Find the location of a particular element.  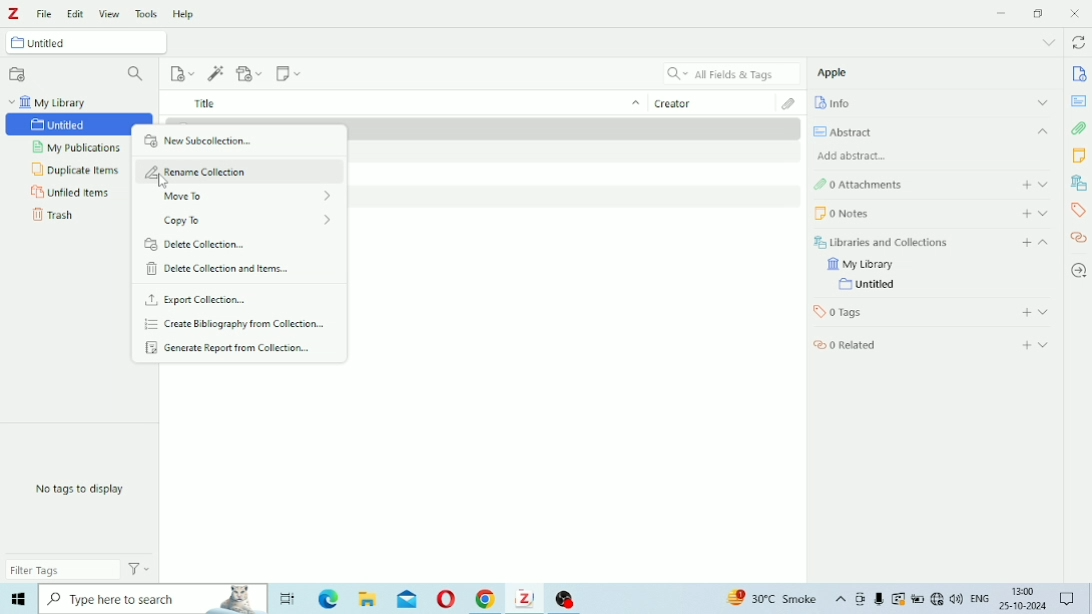

Expand section is located at coordinates (1043, 184).